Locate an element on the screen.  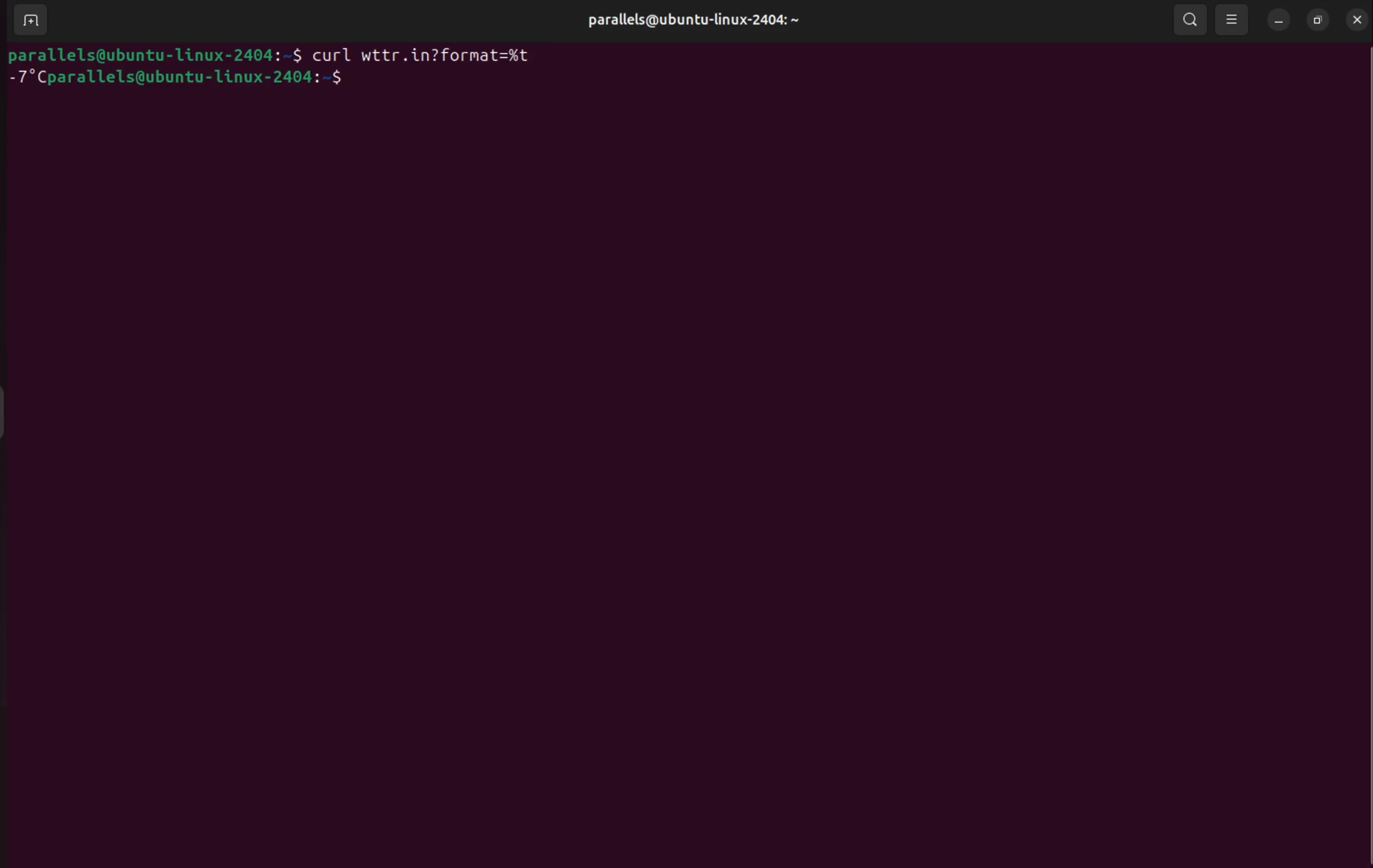
-7 degree celceius is located at coordinates (25, 76).